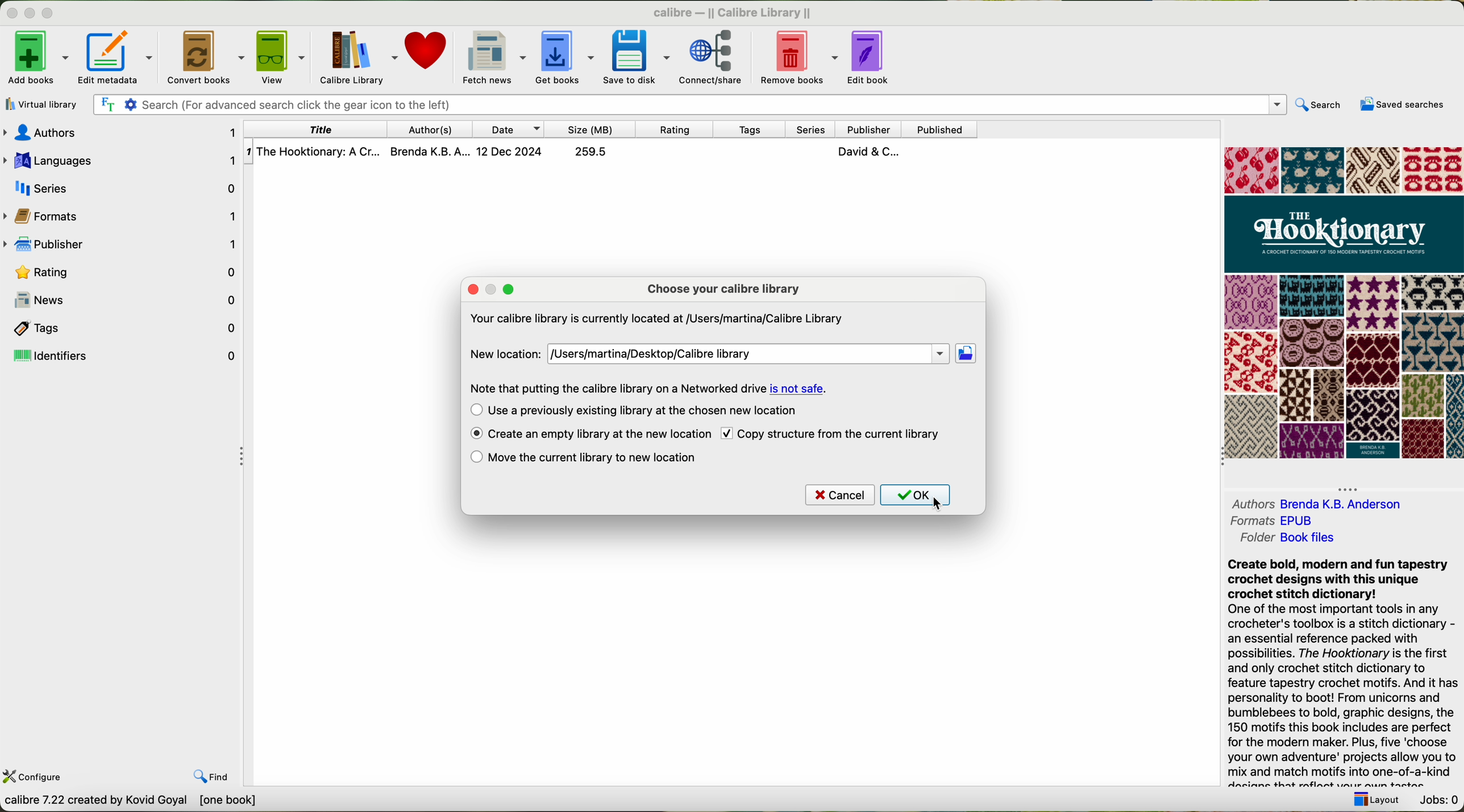  I want to click on close popup, so click(471, 288).